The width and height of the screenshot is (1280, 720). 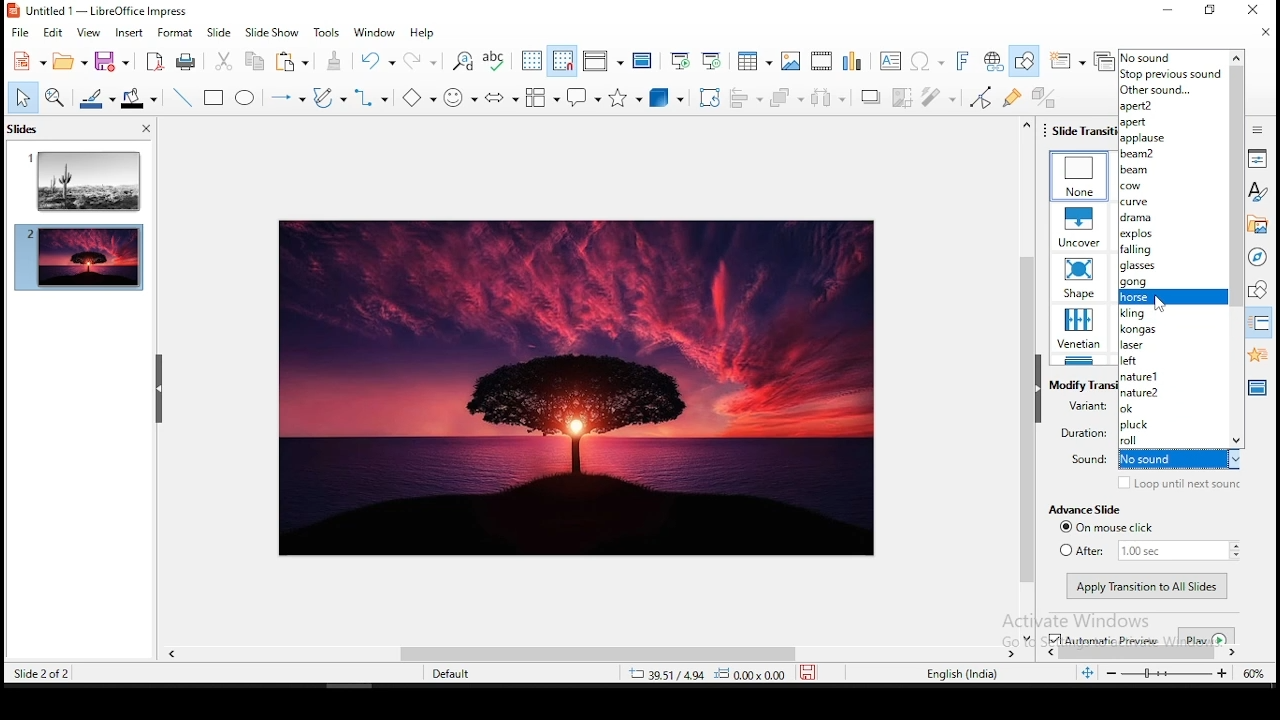 What do you see at coordinates (1165, 673) in the screenshot?
I see `zoom` at bounding box center [1165, 673].